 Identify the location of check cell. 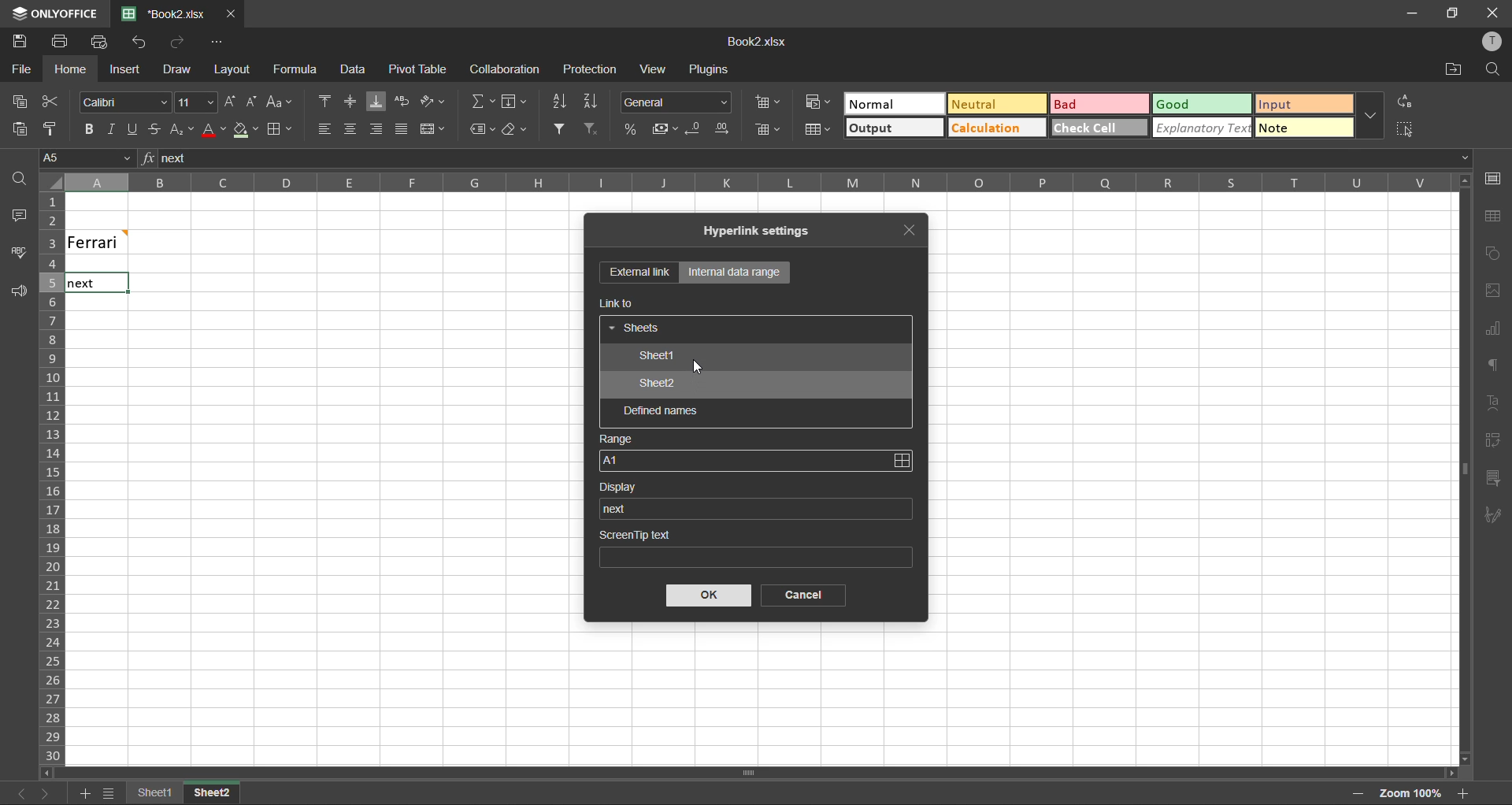
(1098, 127).